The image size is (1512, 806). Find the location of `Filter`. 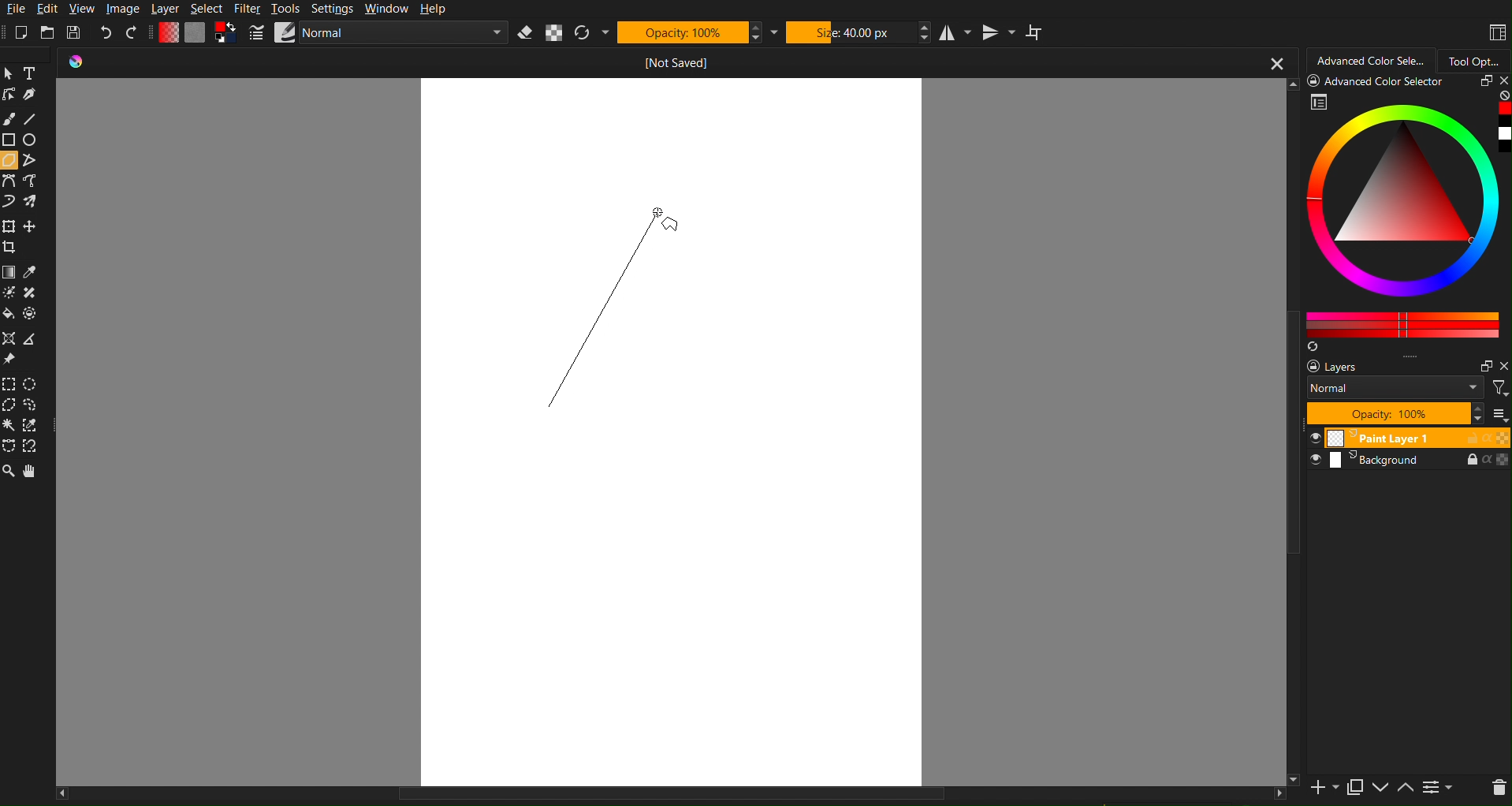

Filter is located at coordinates (249, 10).